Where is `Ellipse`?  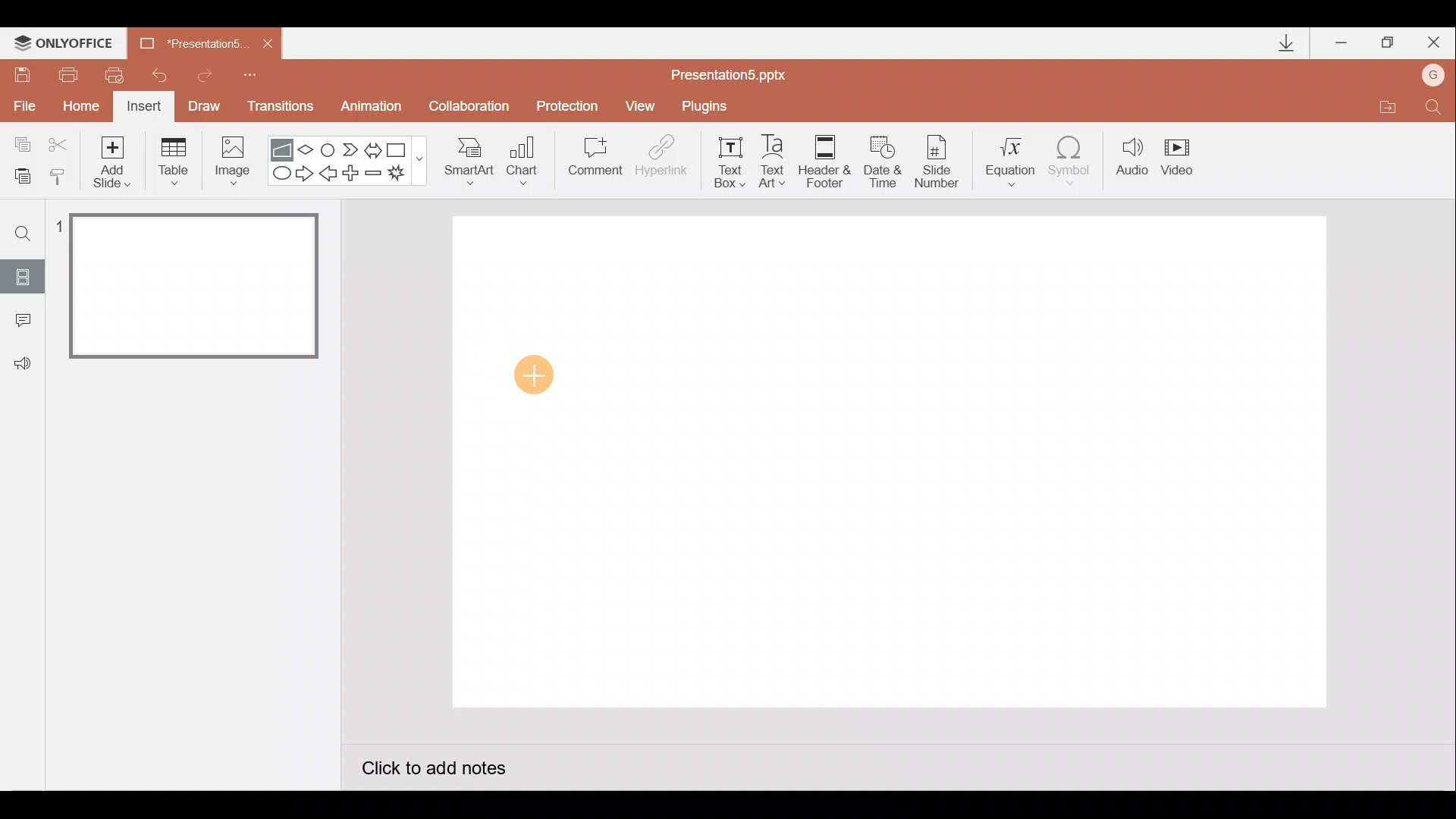
Ellipse is located at coordinates (278, 174).